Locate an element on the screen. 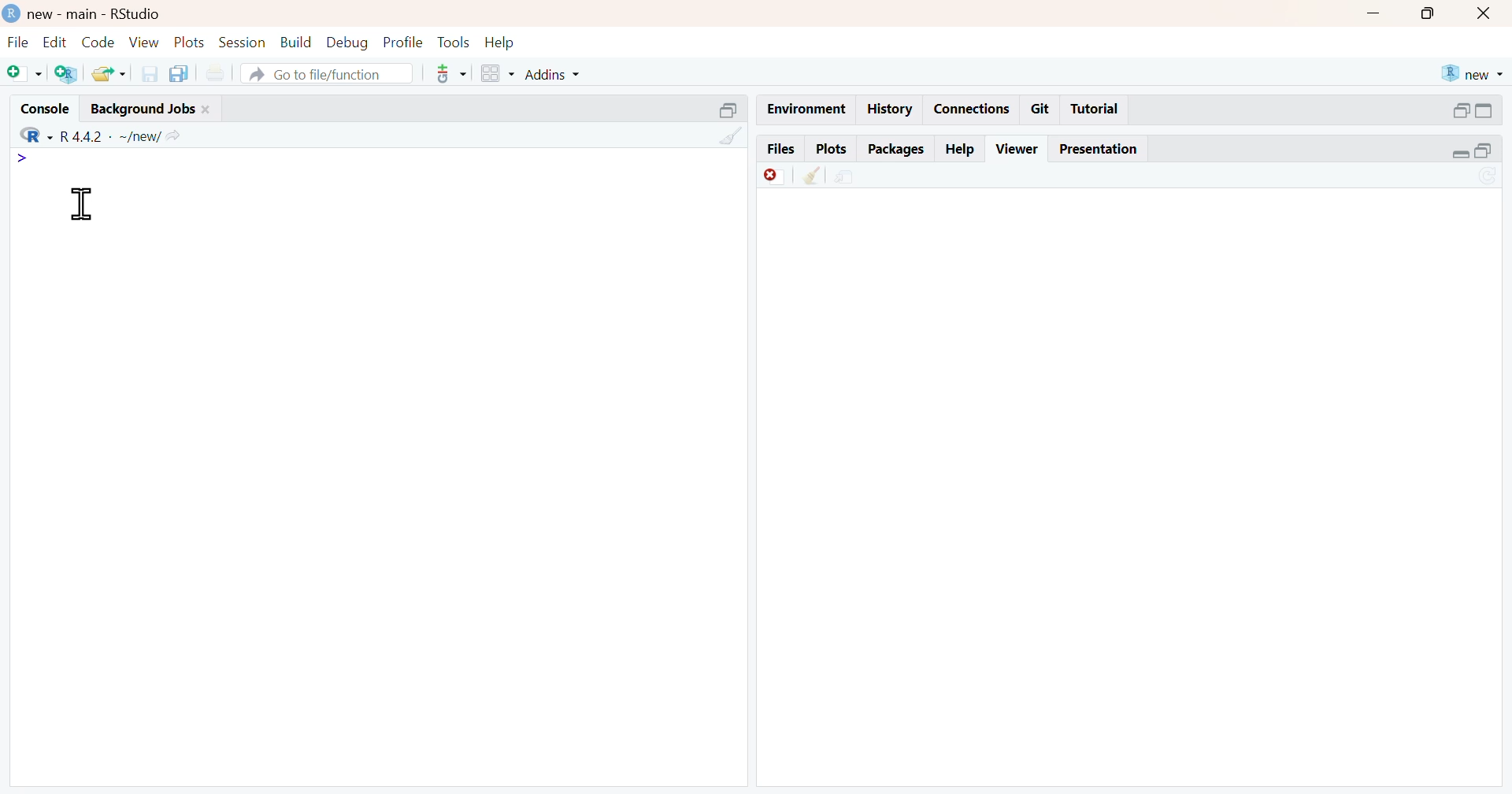 The height and width of the screenshot is (794, 1512). maximize is located at coordinates (1421, 14).